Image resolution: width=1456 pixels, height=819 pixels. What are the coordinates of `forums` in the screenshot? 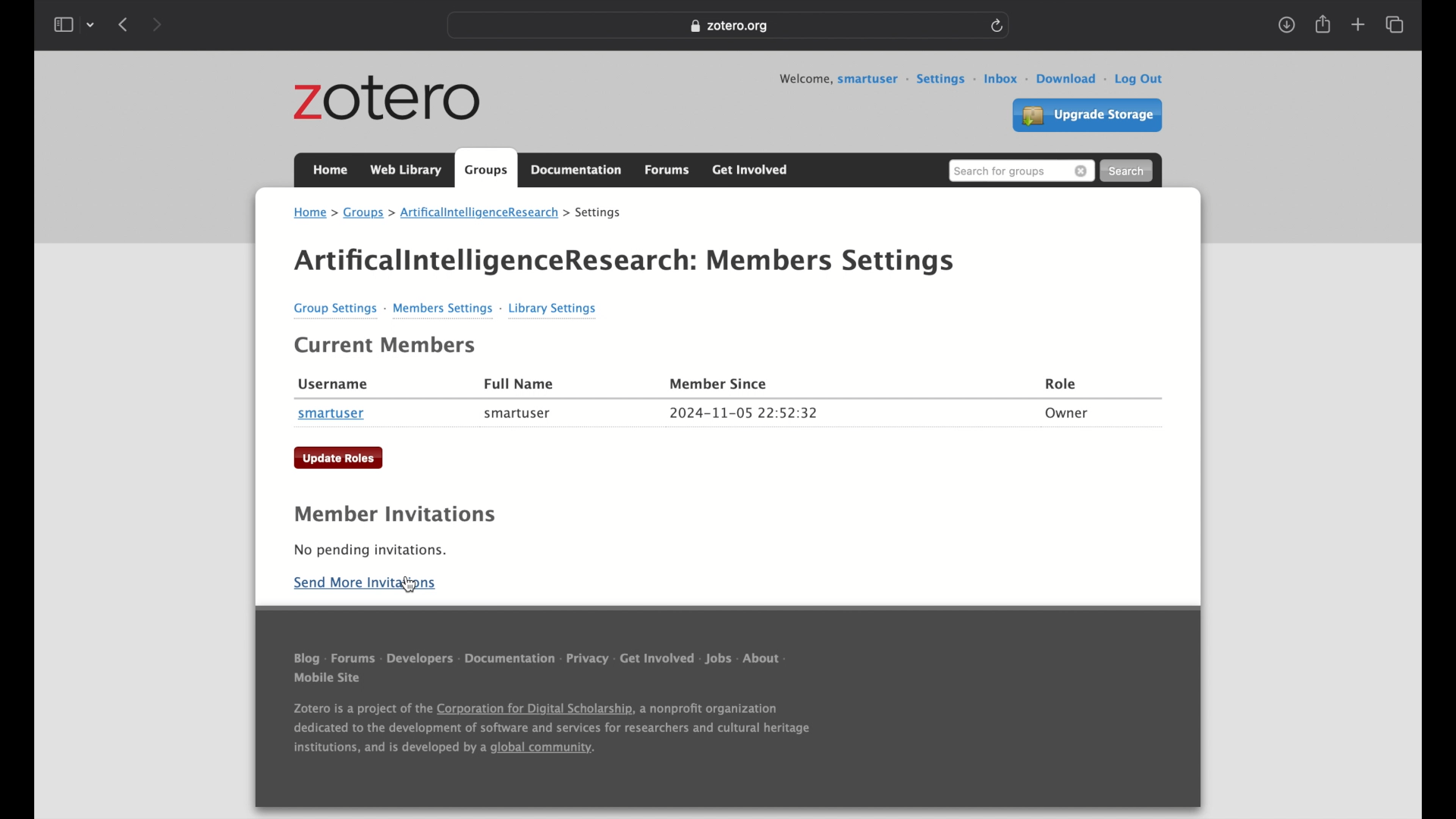 It's located at (355, 657).